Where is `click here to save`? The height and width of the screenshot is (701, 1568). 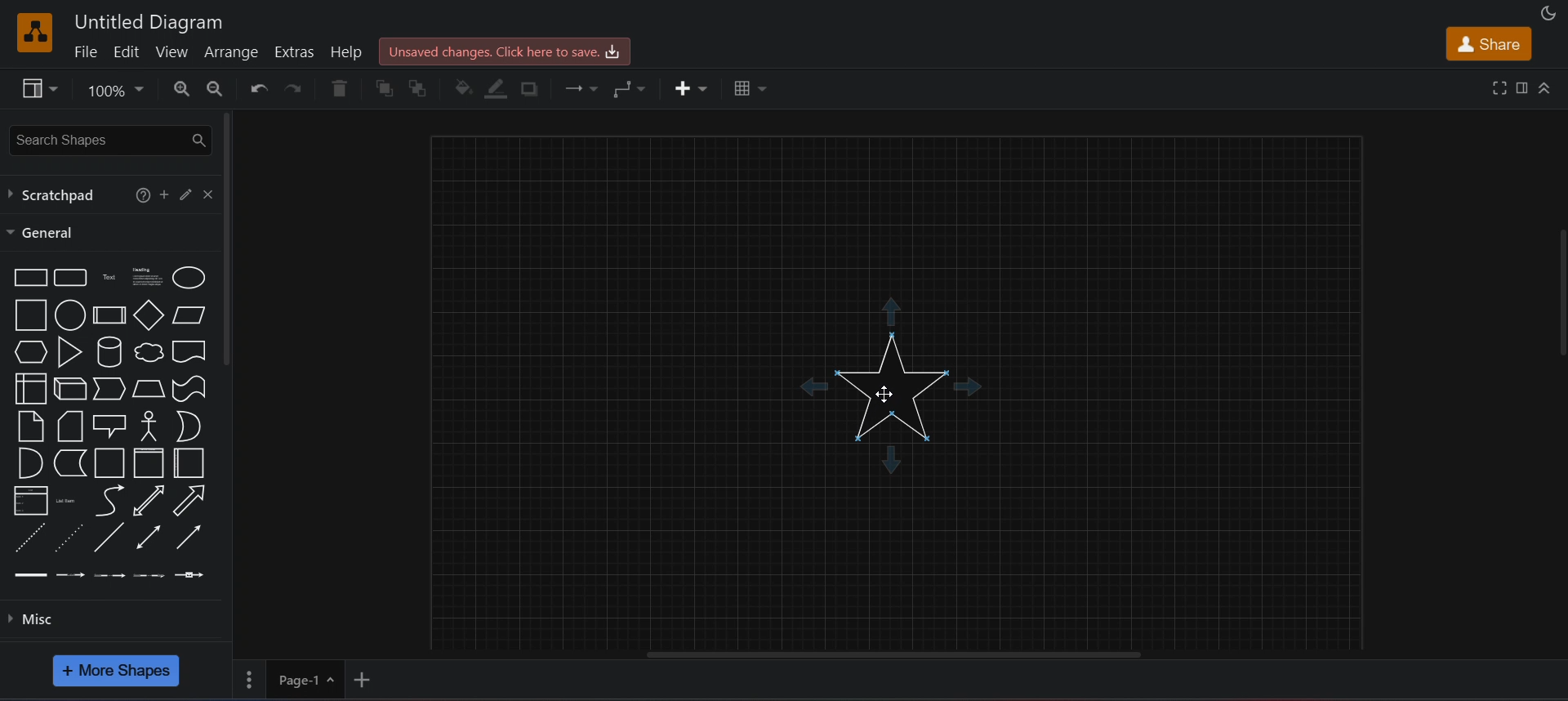 click here to save is located at coordinates (502, 52).